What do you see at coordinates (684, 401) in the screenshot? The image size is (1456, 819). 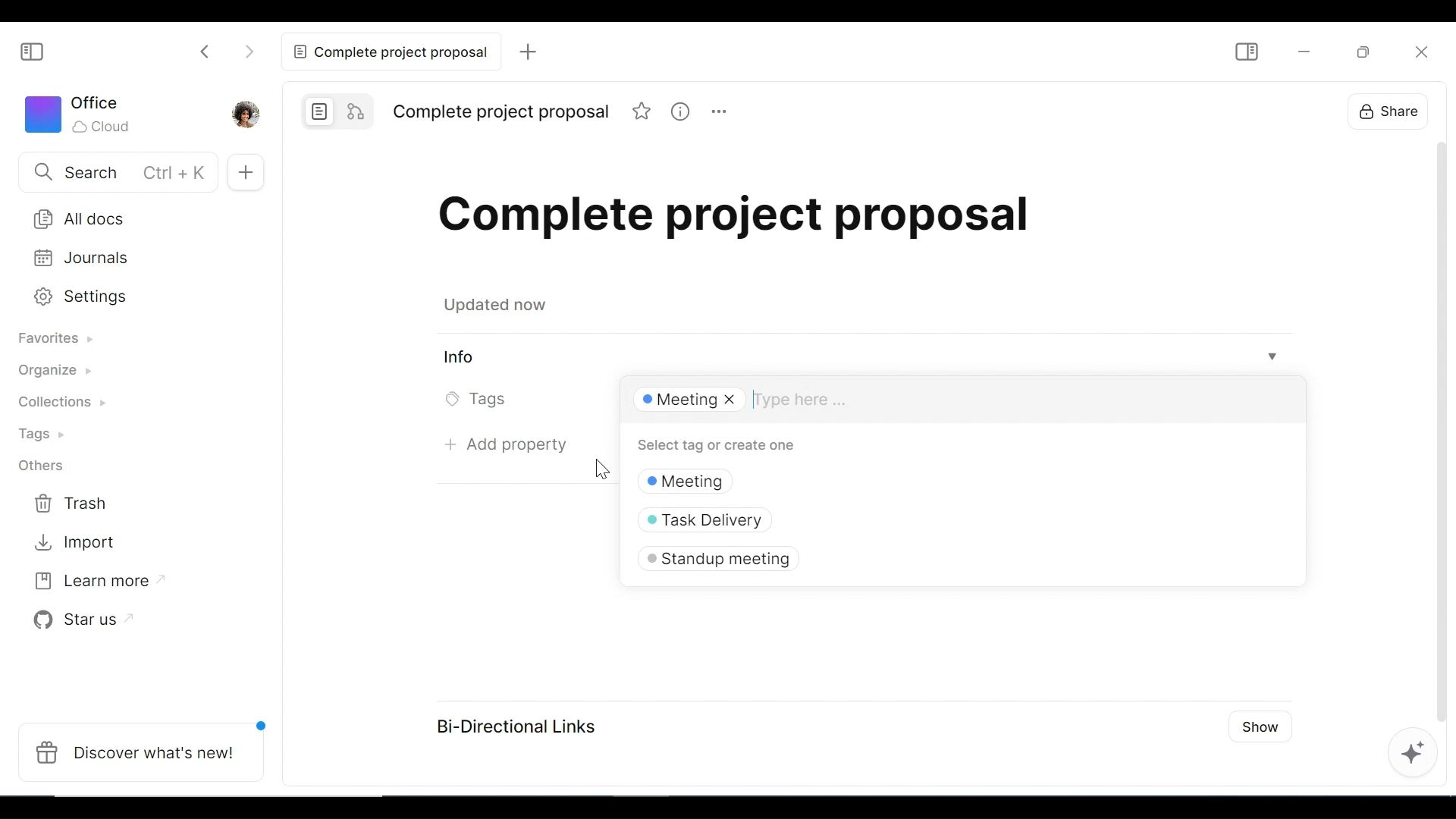 I see `meeting` at bounding box center [684, 401].